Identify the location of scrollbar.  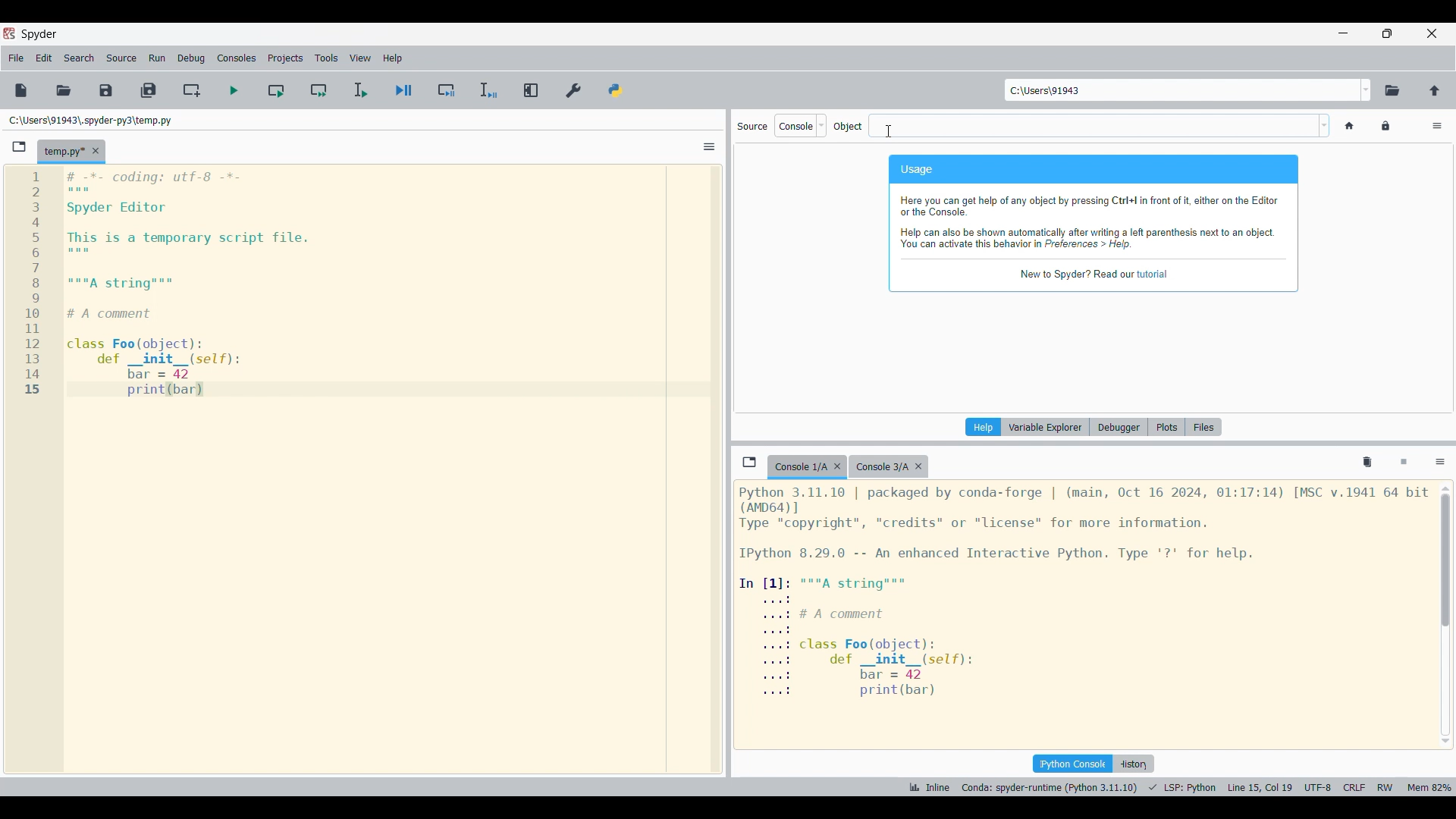
(1448, 617).